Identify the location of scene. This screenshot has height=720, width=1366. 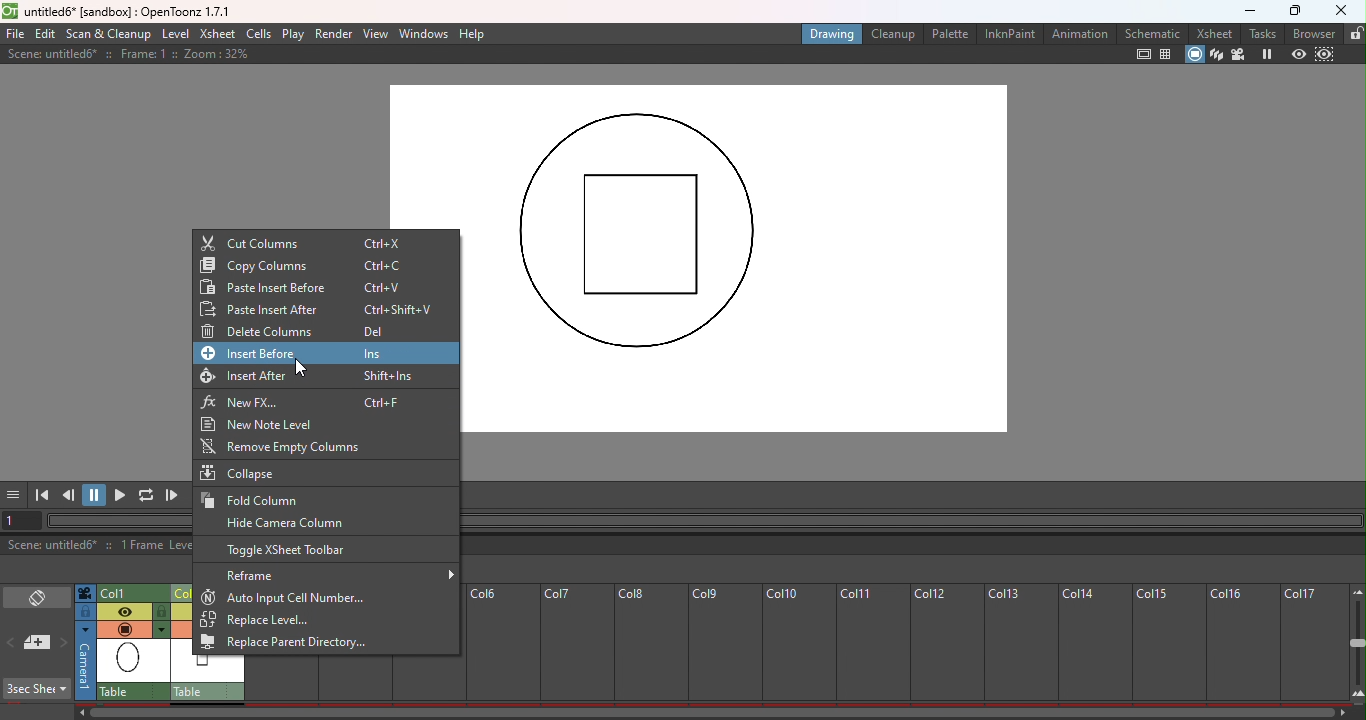
(134, 661).